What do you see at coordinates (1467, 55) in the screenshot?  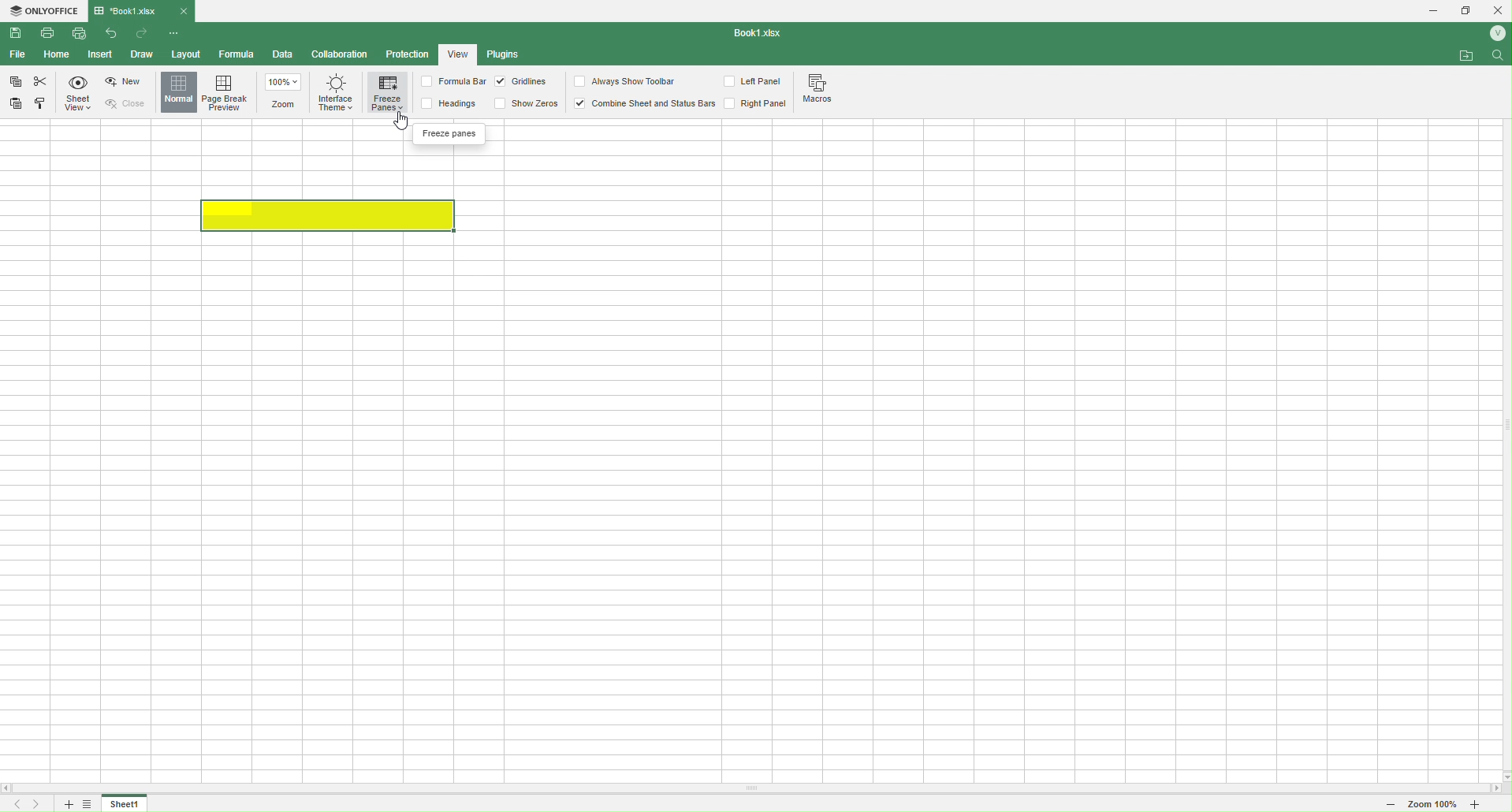 I see `Open file location` at bounding box center [1467, 55].